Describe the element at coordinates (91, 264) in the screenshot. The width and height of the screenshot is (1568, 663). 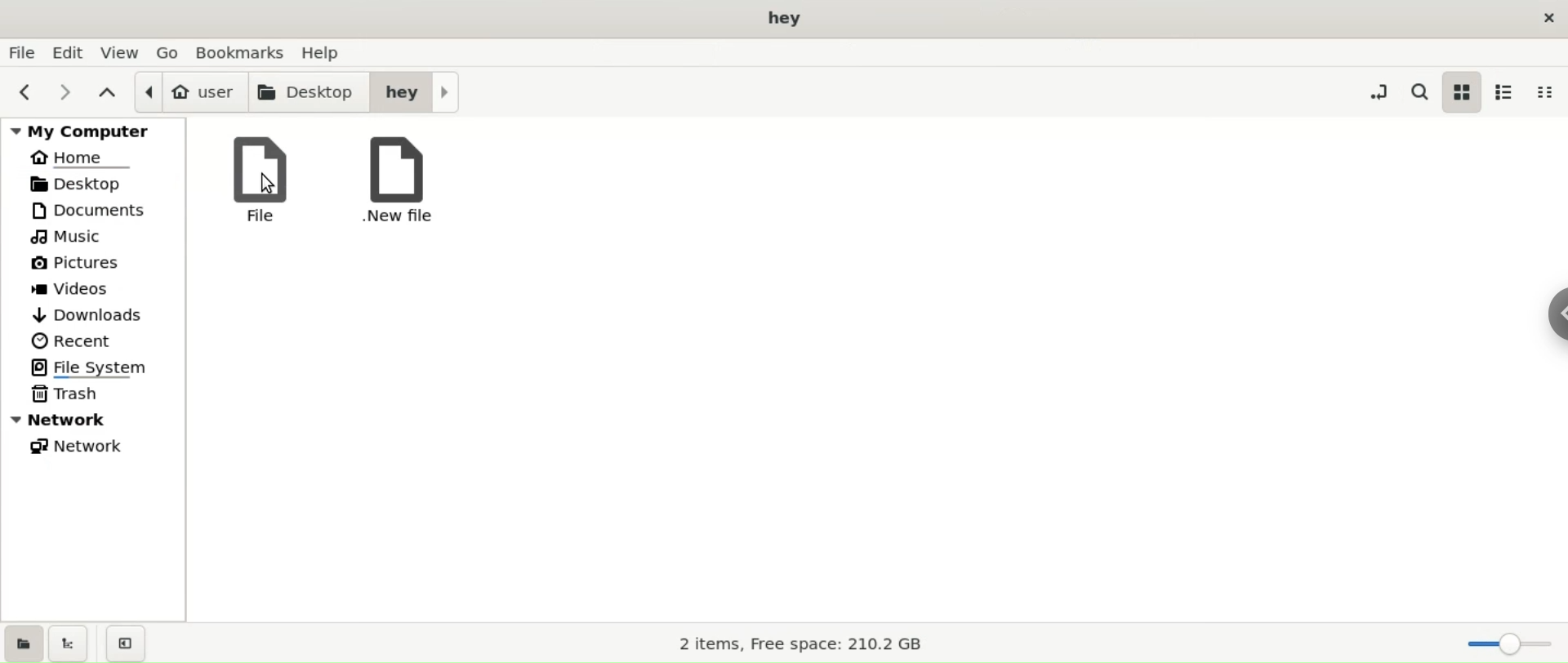
I see `pictures` at that location.